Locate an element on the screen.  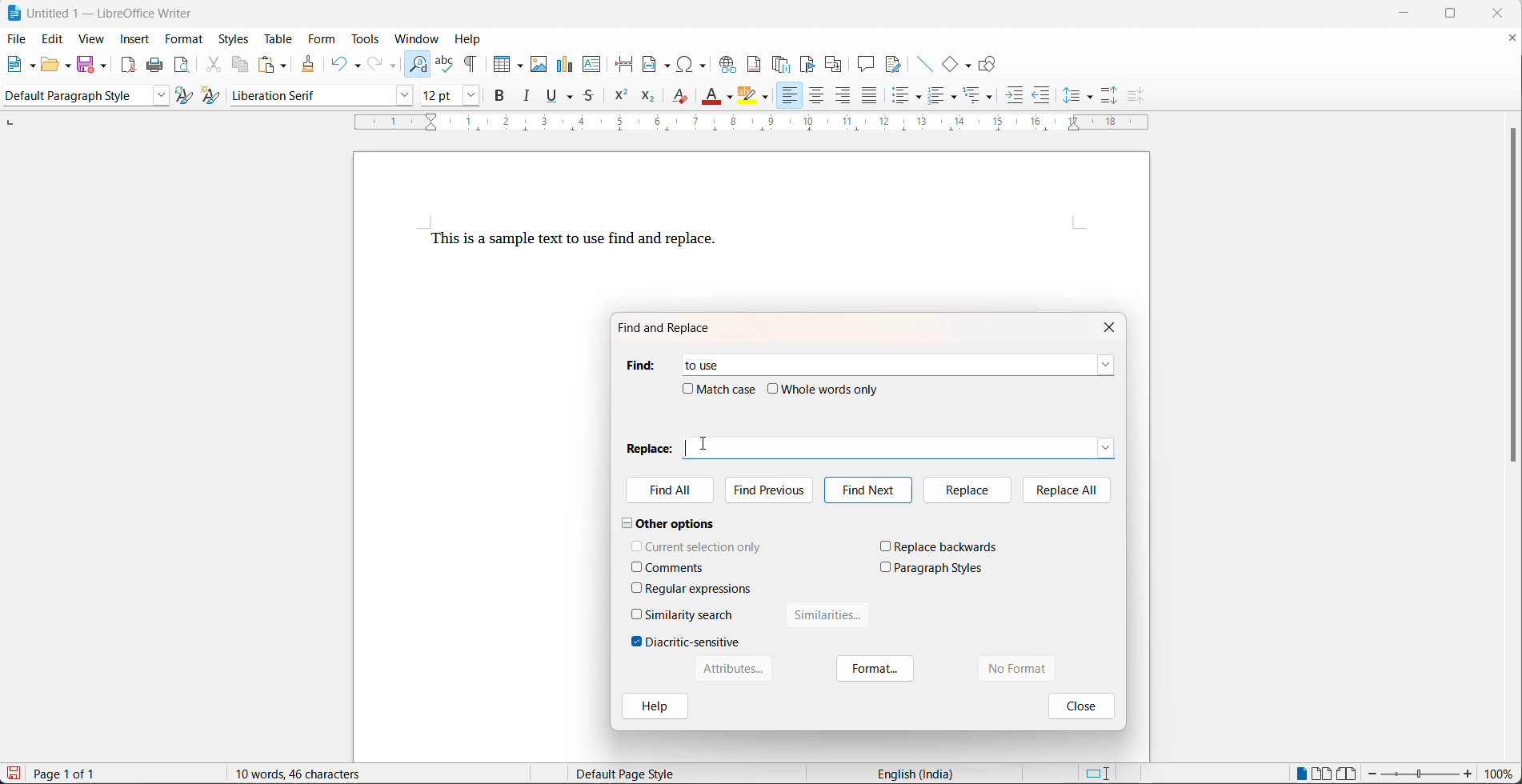
view is located at coordinates (91, 40).